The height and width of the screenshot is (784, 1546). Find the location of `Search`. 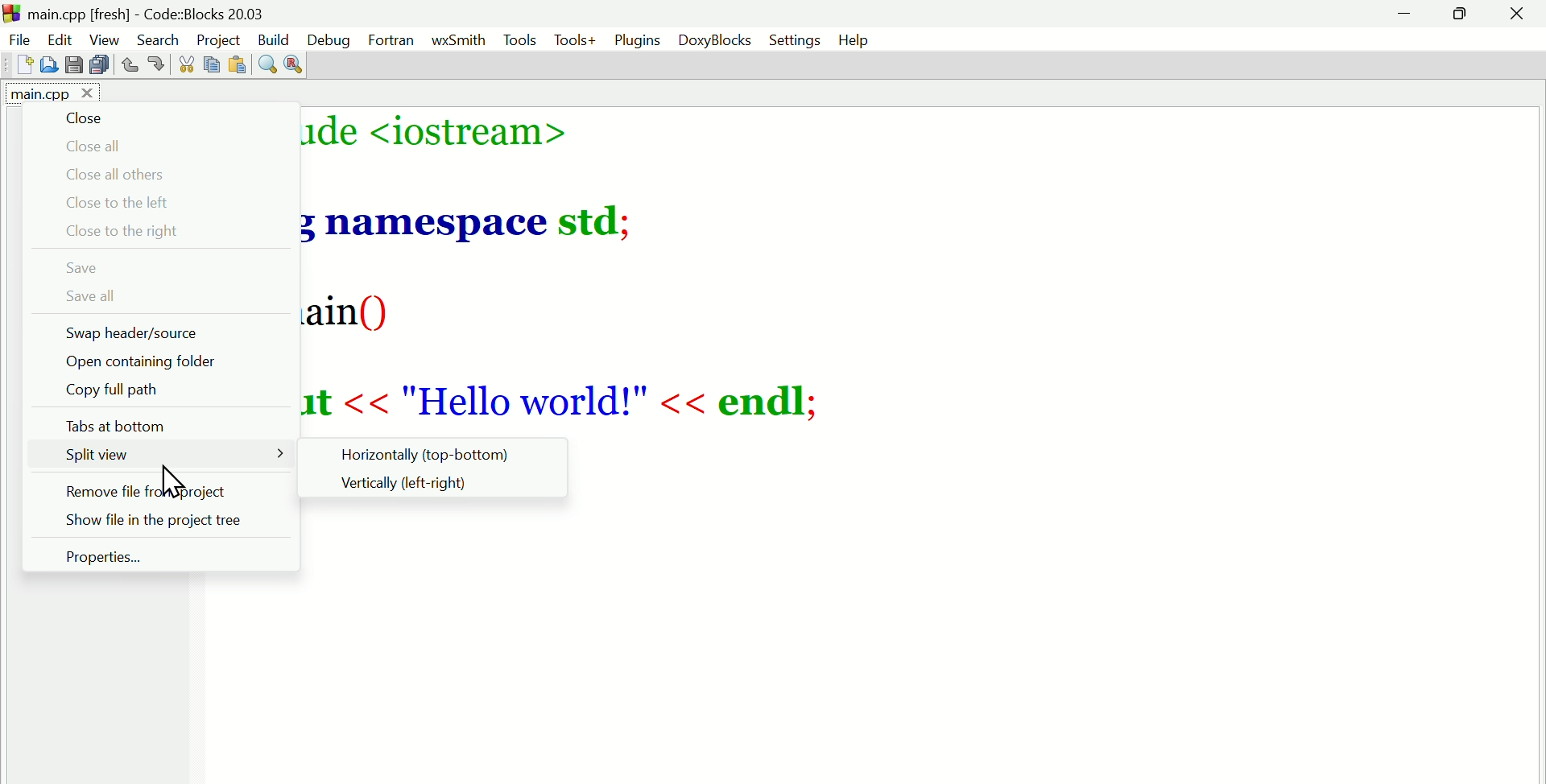

Search is located at coordinates (159, 36).